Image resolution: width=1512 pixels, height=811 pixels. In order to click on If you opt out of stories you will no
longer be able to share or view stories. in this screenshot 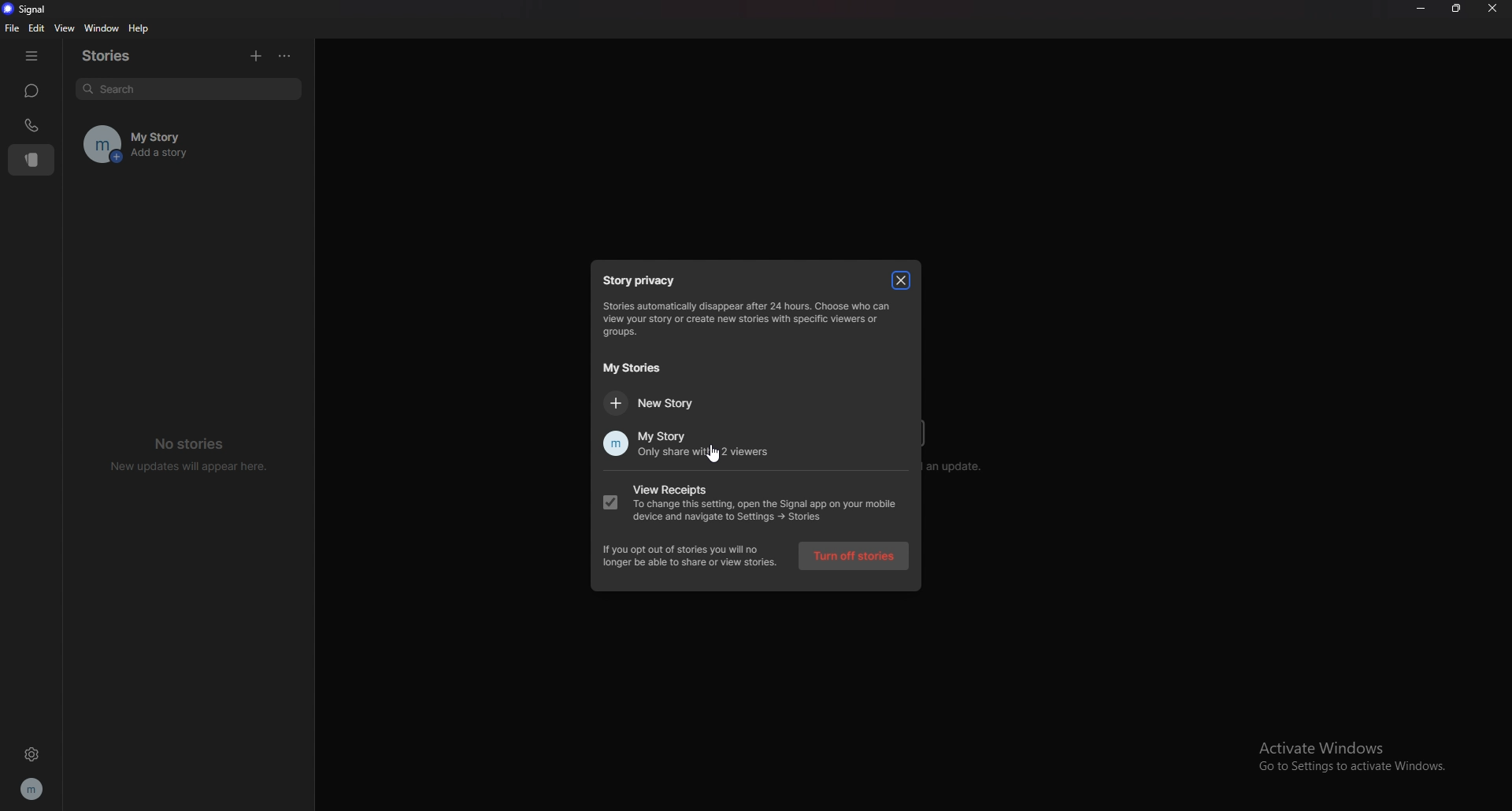, I will do `click(691, 556)`.